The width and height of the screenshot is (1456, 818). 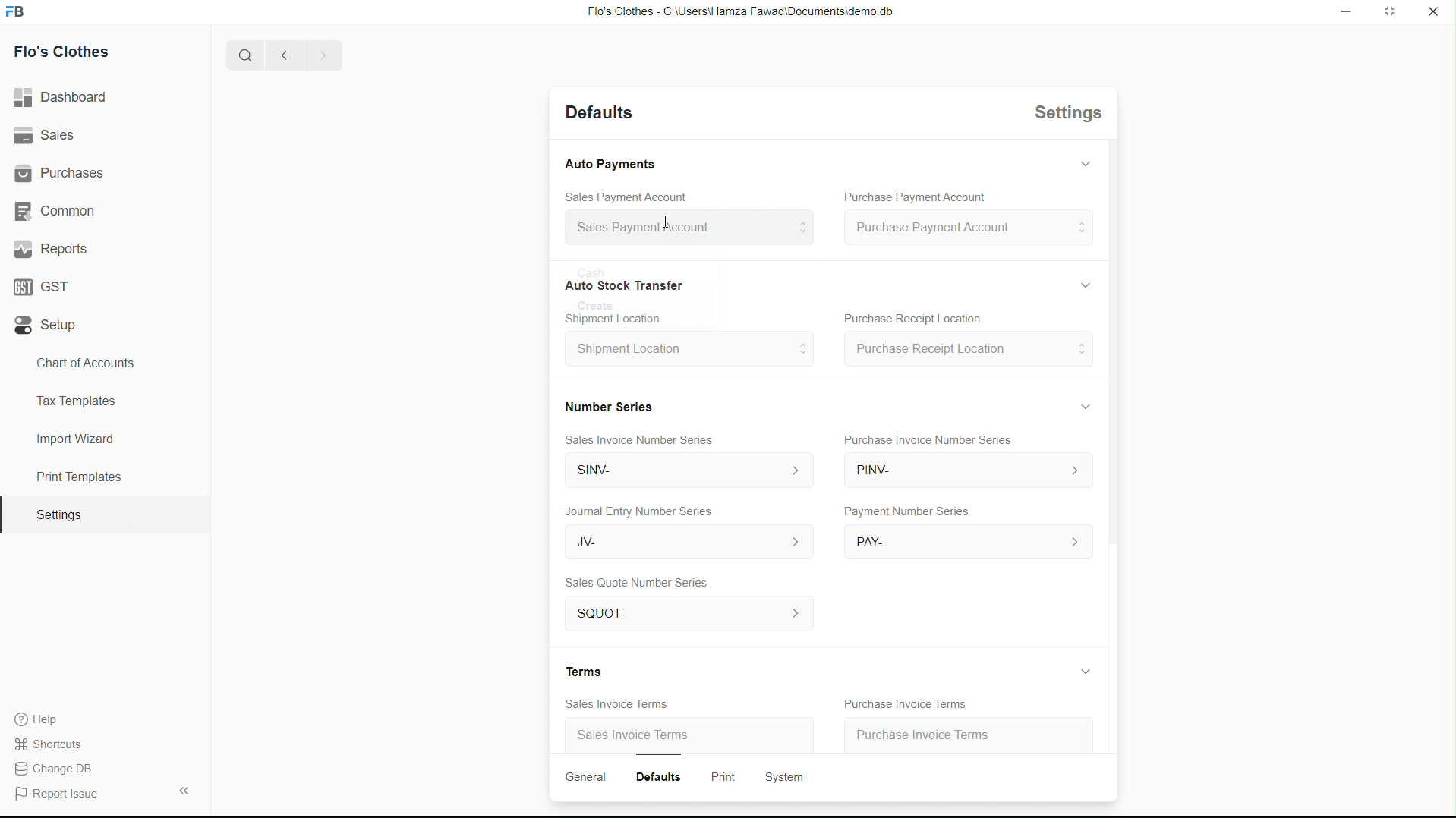 I want to click on ' Reports, so click(x=54, y=248).